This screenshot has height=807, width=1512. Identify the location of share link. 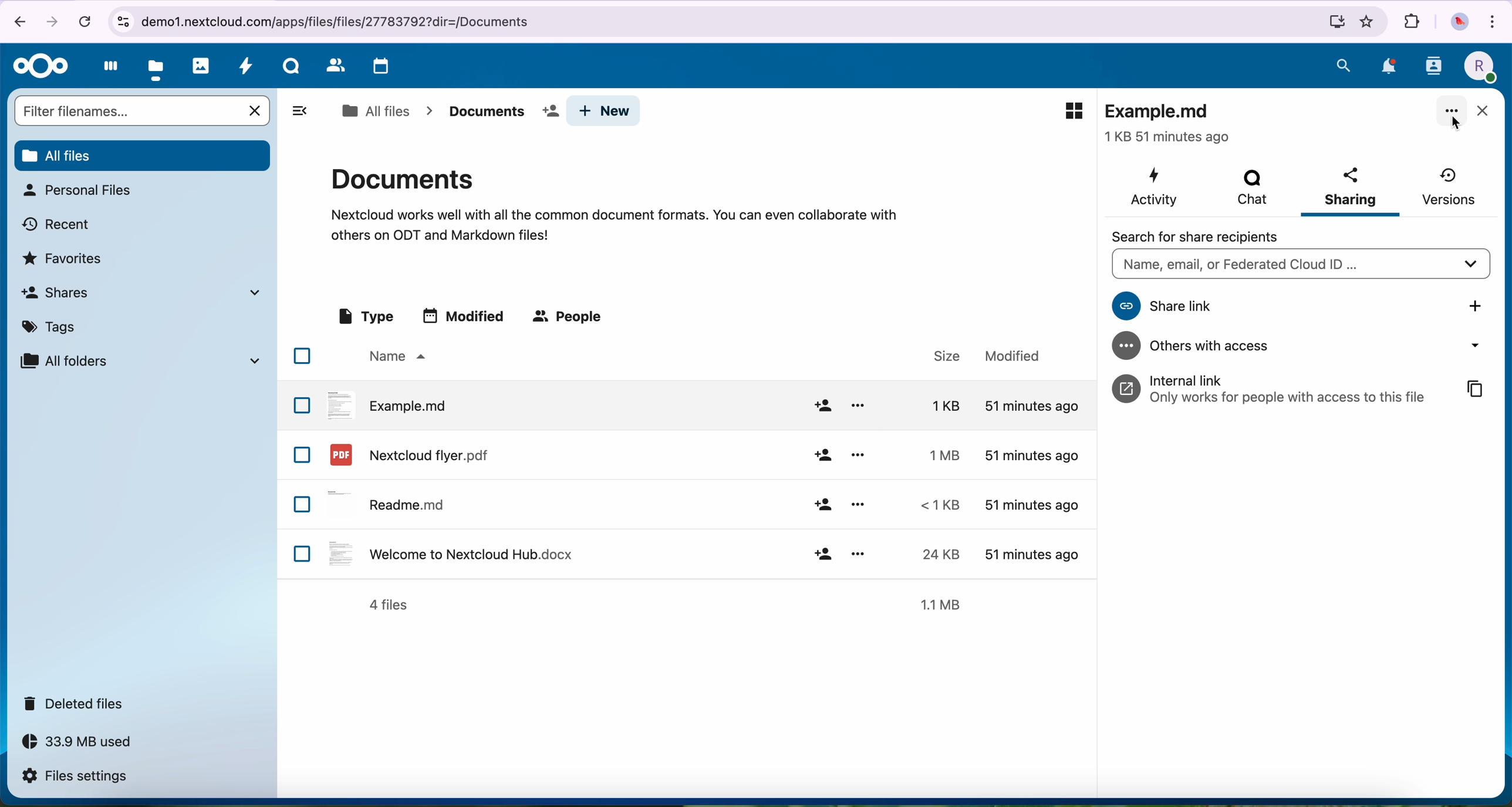
(1254, 306).